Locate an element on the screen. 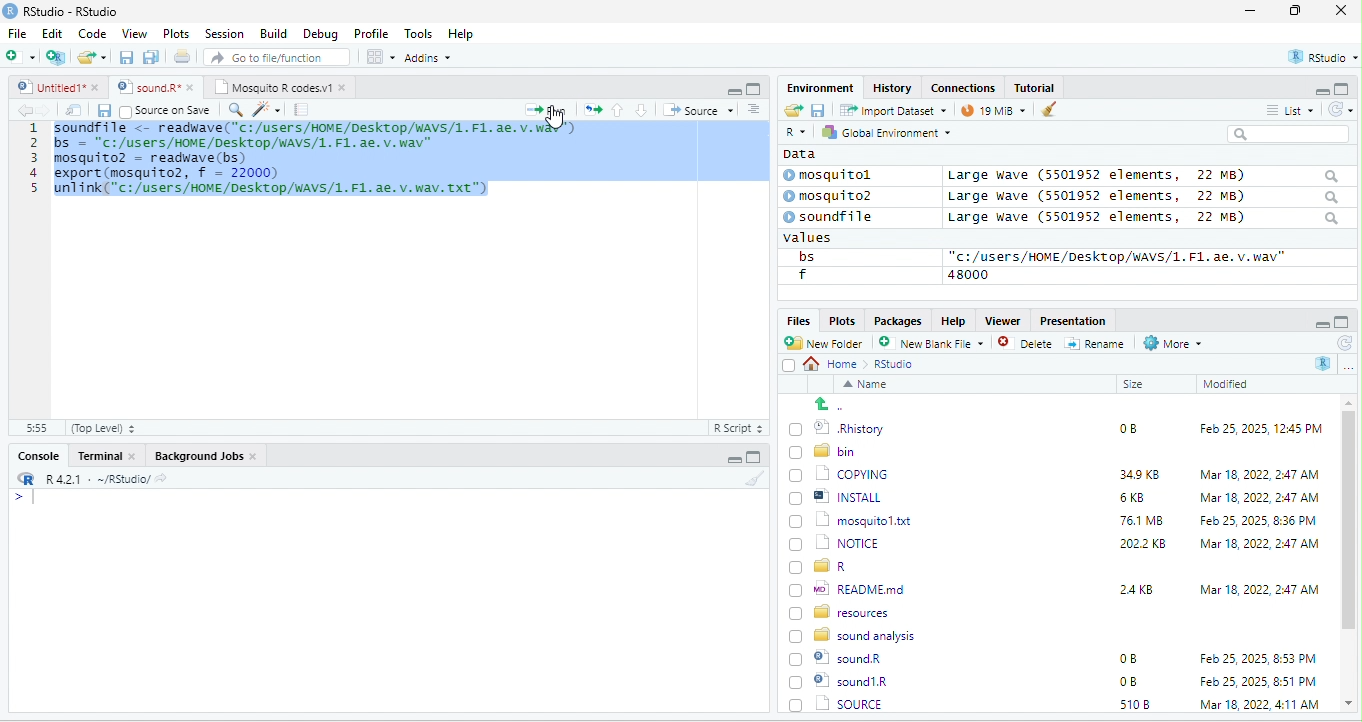  open is located at coordinates (74, 110).